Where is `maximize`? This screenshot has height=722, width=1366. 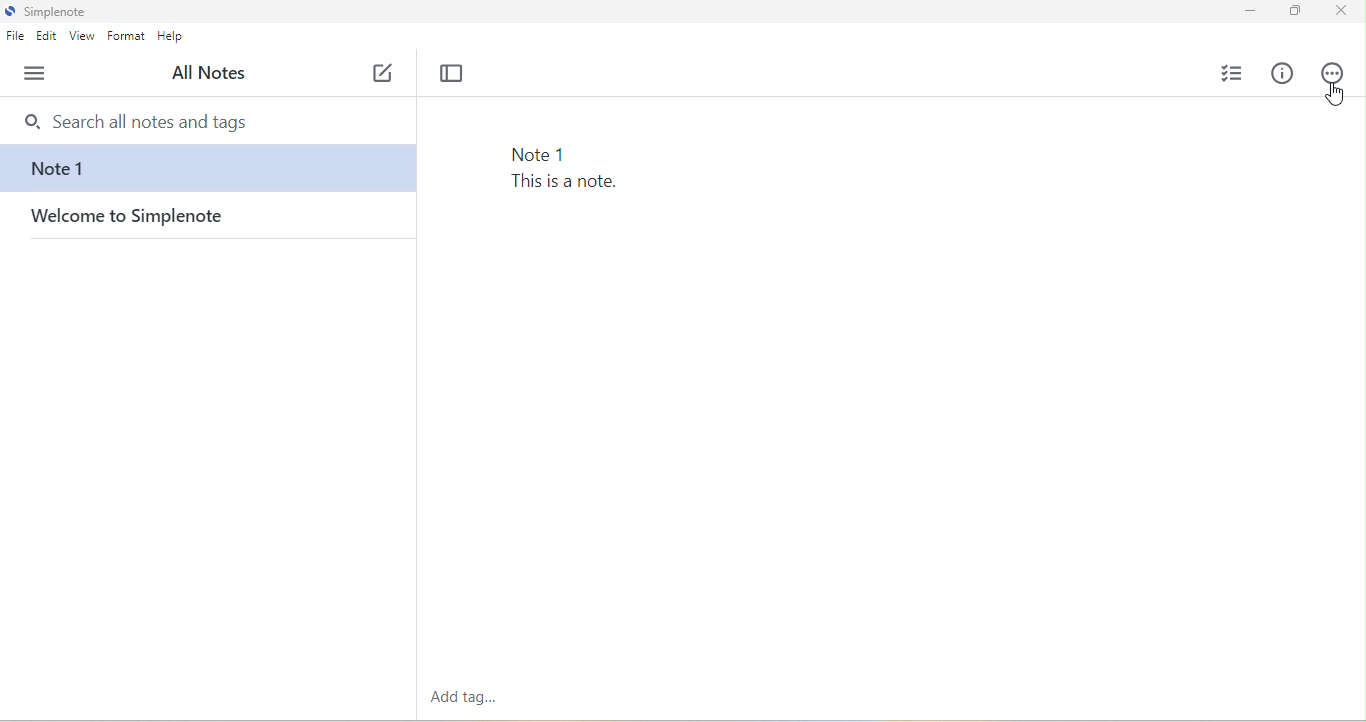 maximize is located at coordinates (1293, 11).